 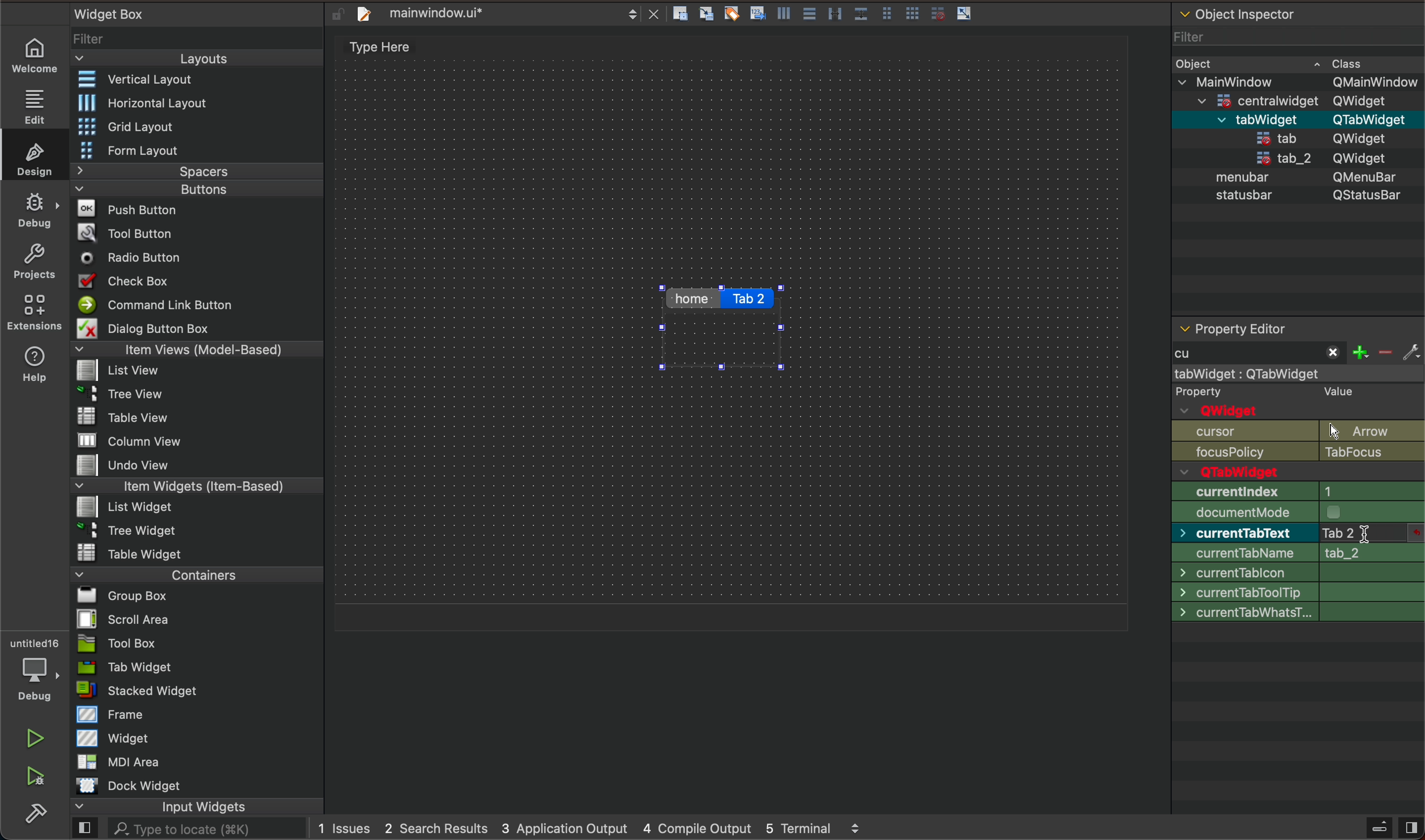 What do you see at coordinates (1299, 610) in the screenshot?
I see `palette` at bounding box center [1299, 610].